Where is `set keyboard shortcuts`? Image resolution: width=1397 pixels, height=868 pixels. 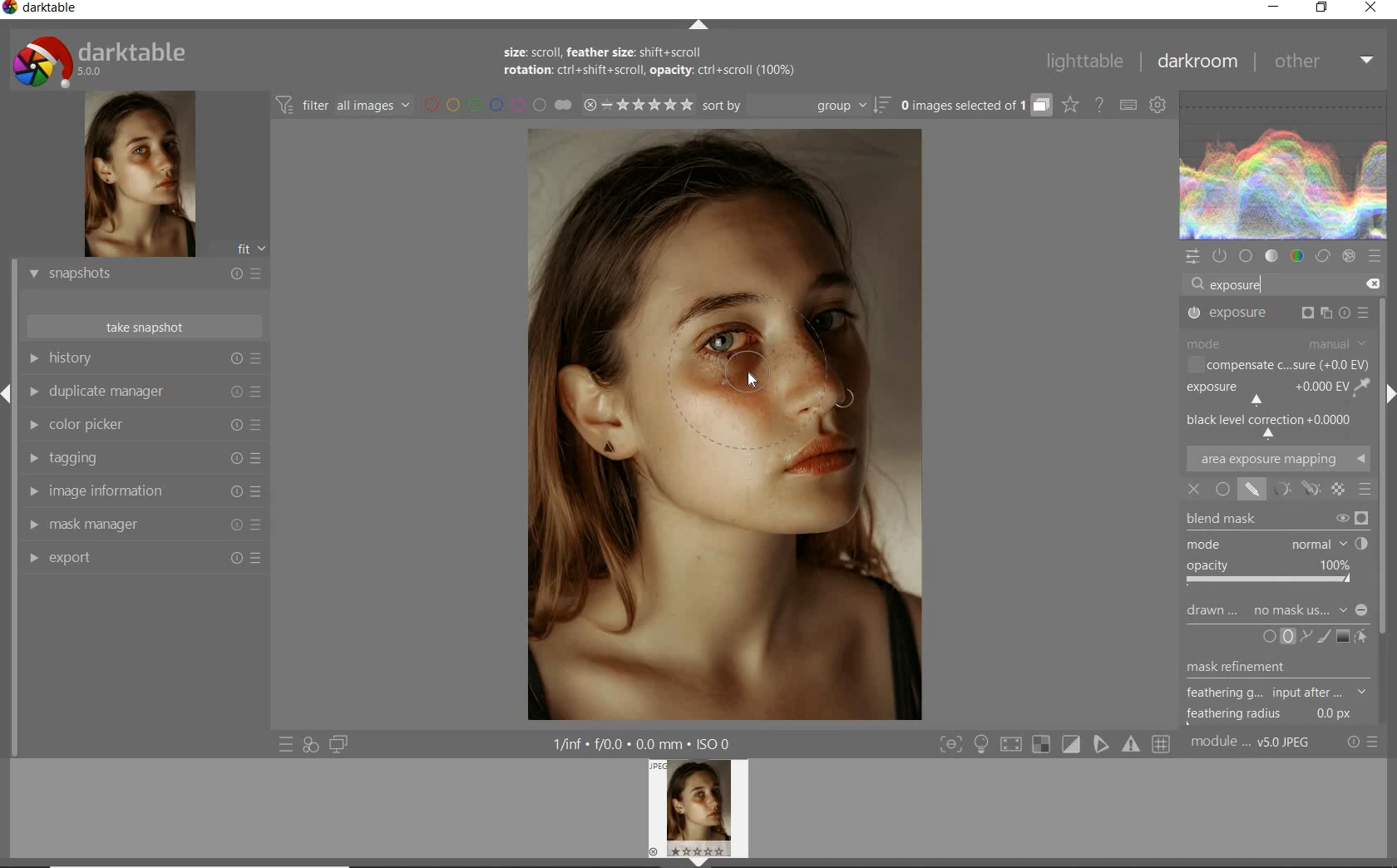
set keyboard shortcuts is located at coordinates (1127, 106).